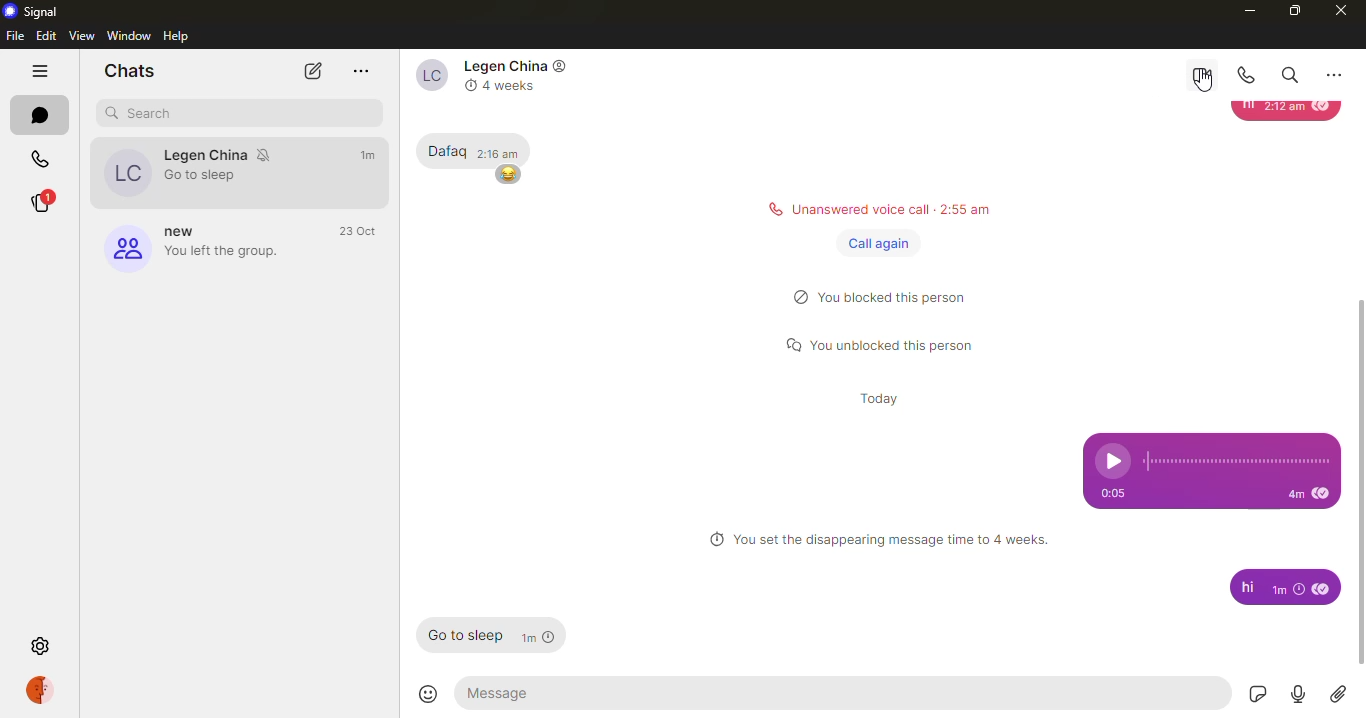 This screenshot has width=1366, height=718. I want to click on voice call, so click(1248, 72).